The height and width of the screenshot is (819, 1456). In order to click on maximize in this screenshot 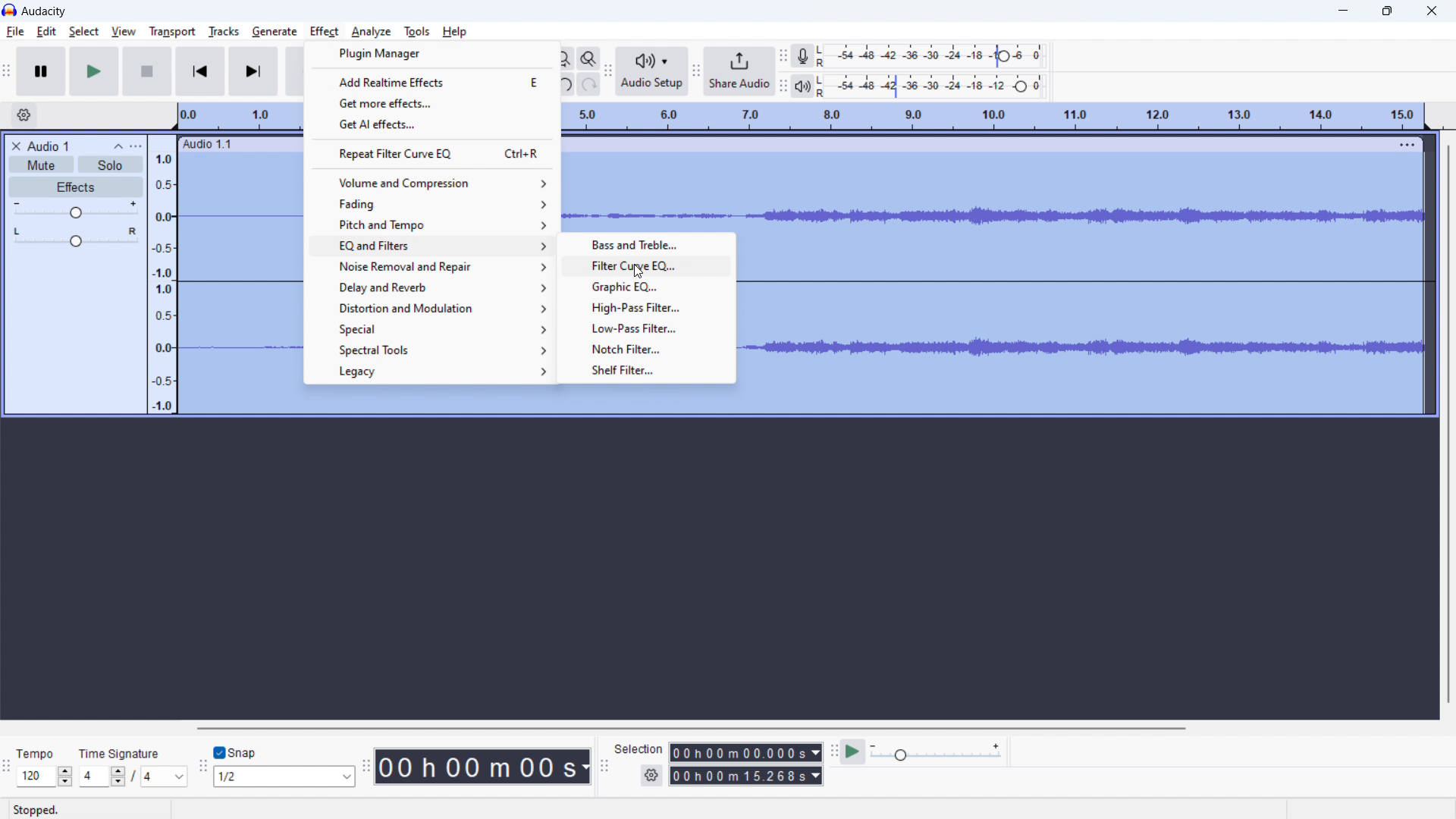, I will do `click(1387, 11)`.